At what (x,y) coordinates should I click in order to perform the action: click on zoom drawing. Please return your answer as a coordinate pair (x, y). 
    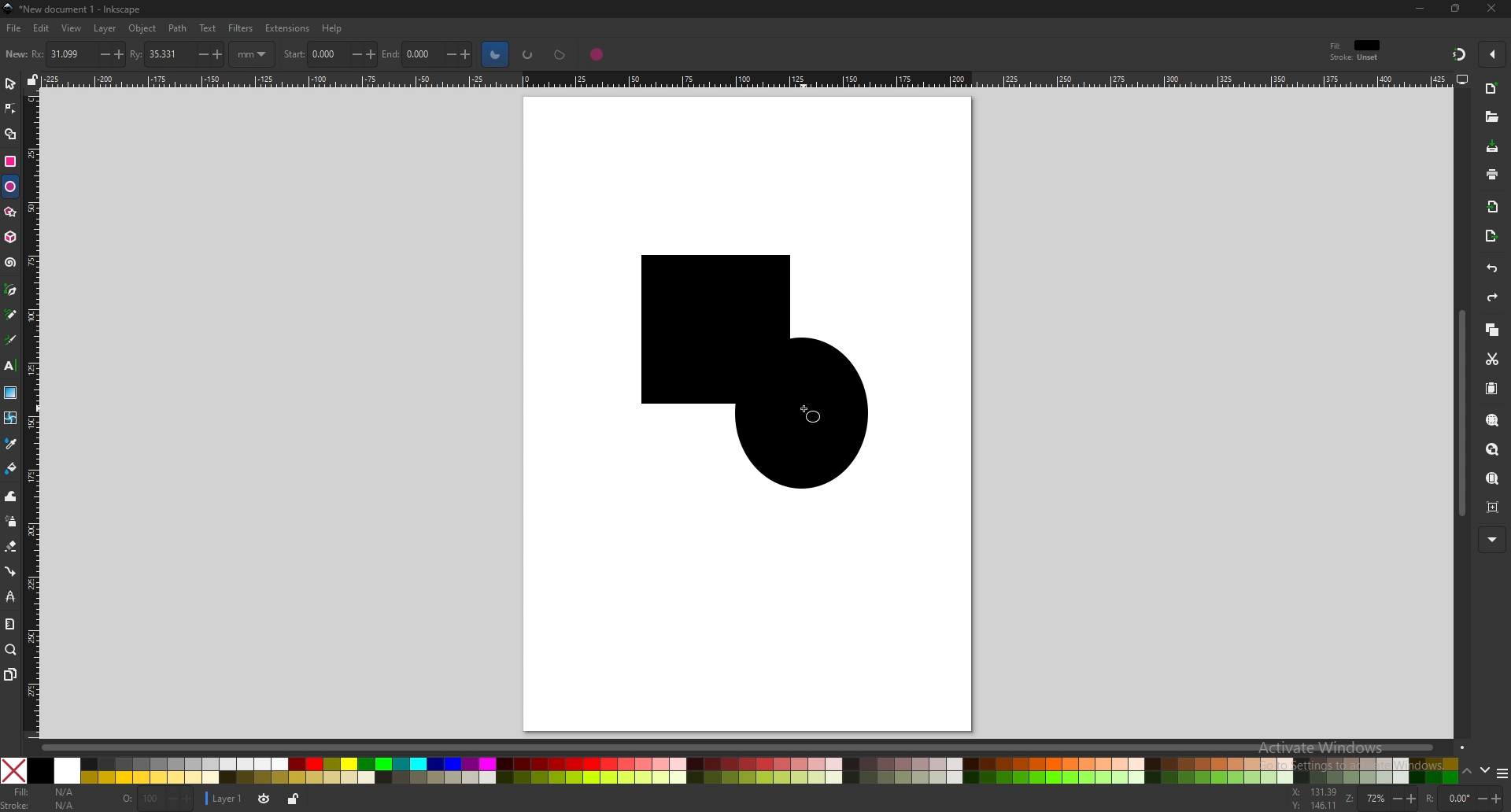
    Looking at the image, I should click on (1493, 448).